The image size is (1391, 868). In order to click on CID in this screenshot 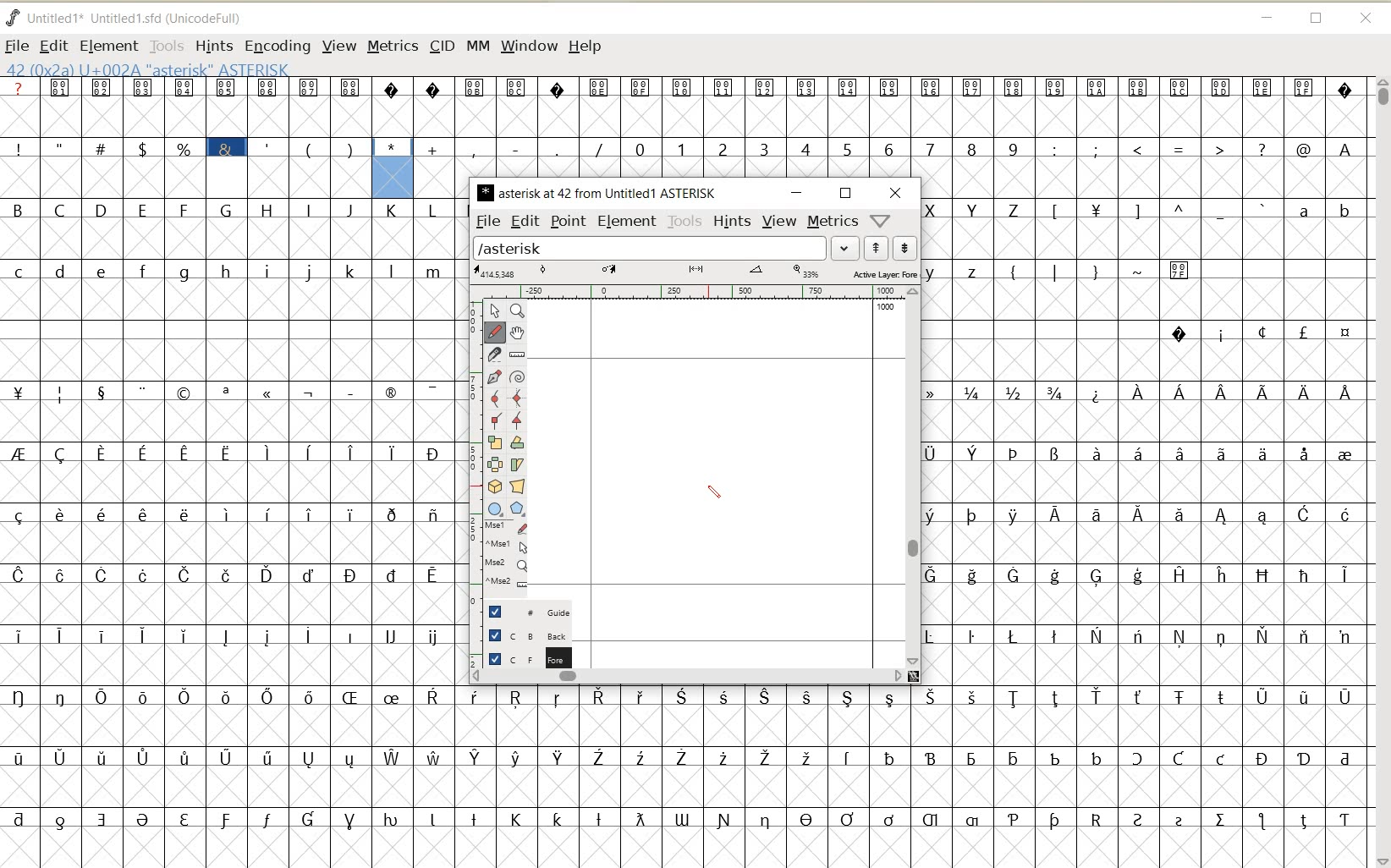, I will do `click(440, 46)`.